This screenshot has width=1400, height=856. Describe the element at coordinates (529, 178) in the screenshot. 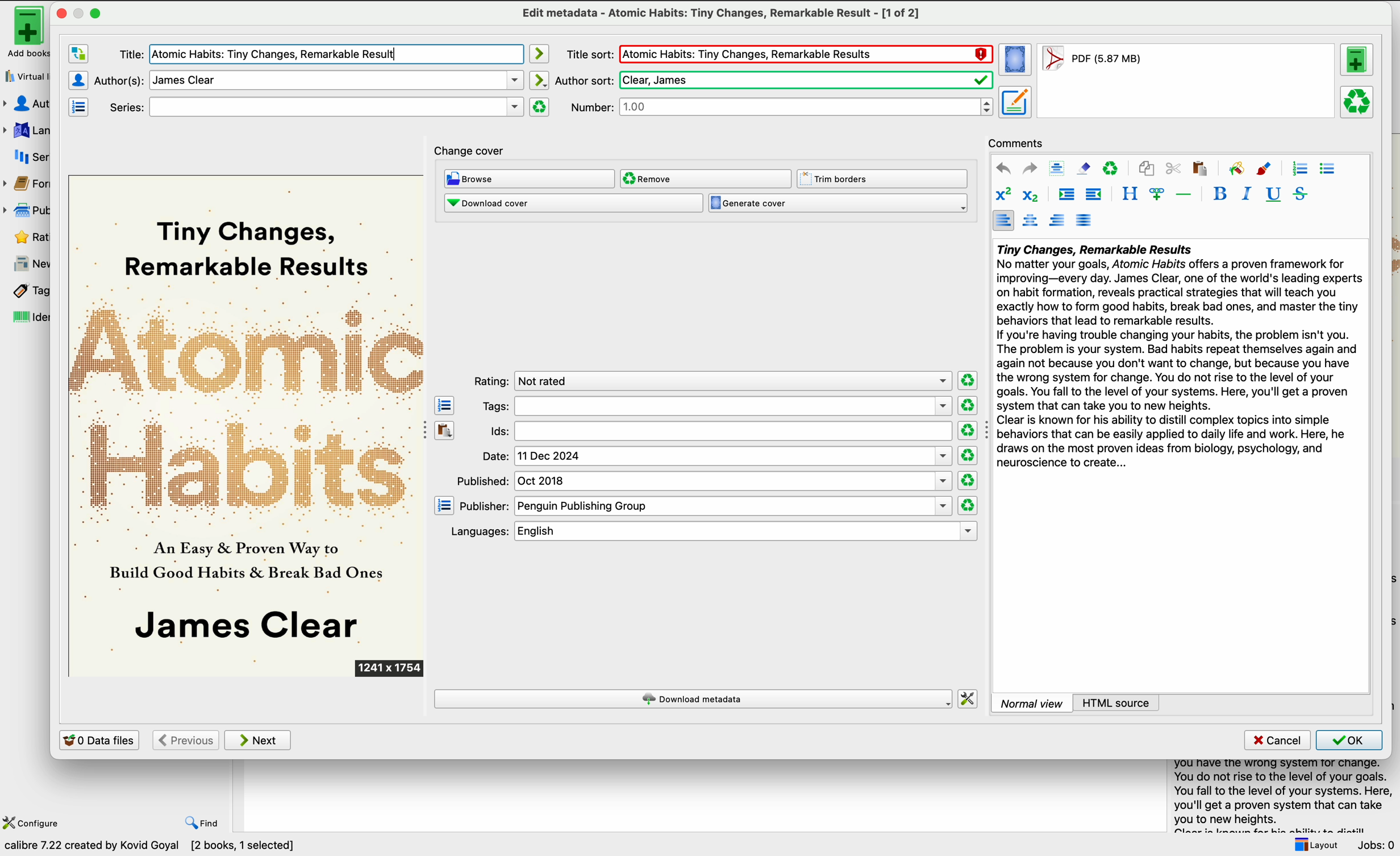

I see `browse` at that location.